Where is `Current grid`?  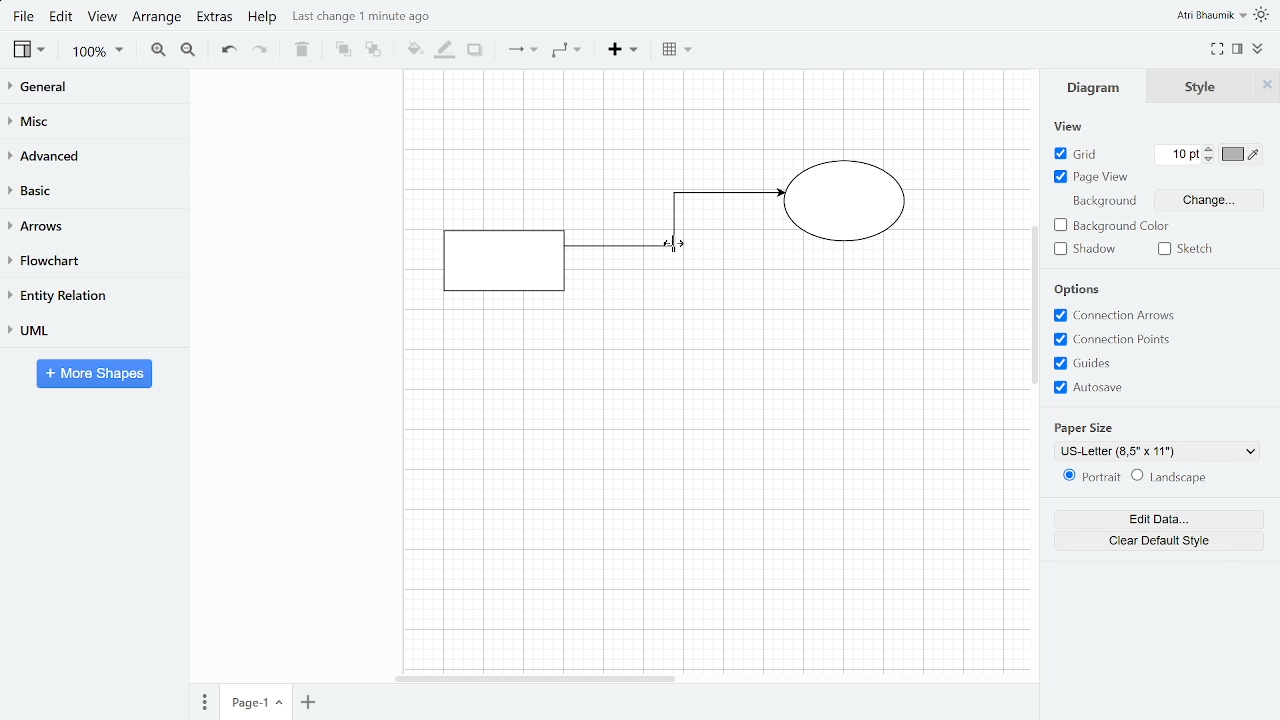 Current grid is located at coordinates (1180, 154).